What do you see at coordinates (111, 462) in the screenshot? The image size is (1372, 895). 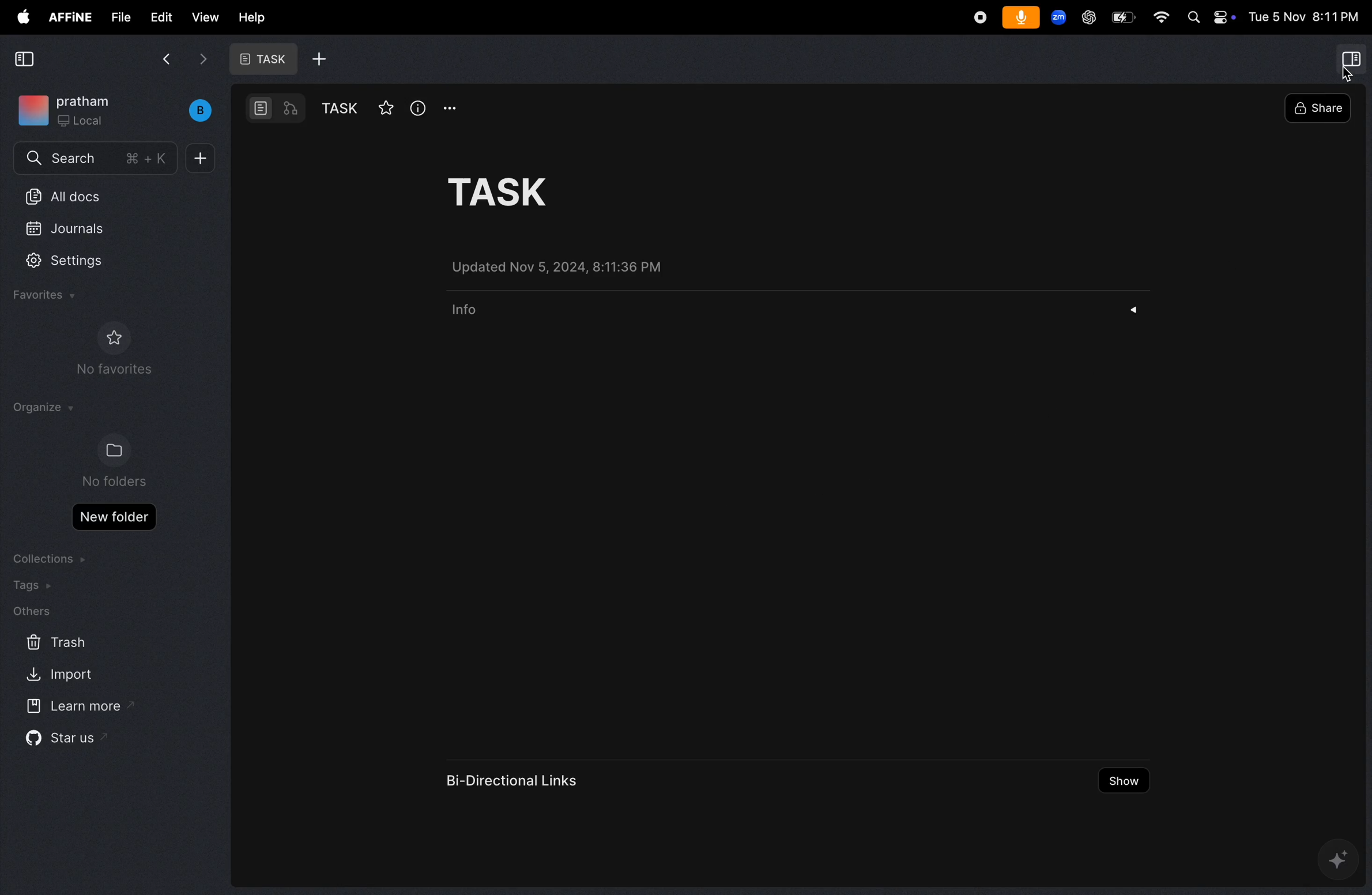 I see `no folders` at bounding box center [111, 462].